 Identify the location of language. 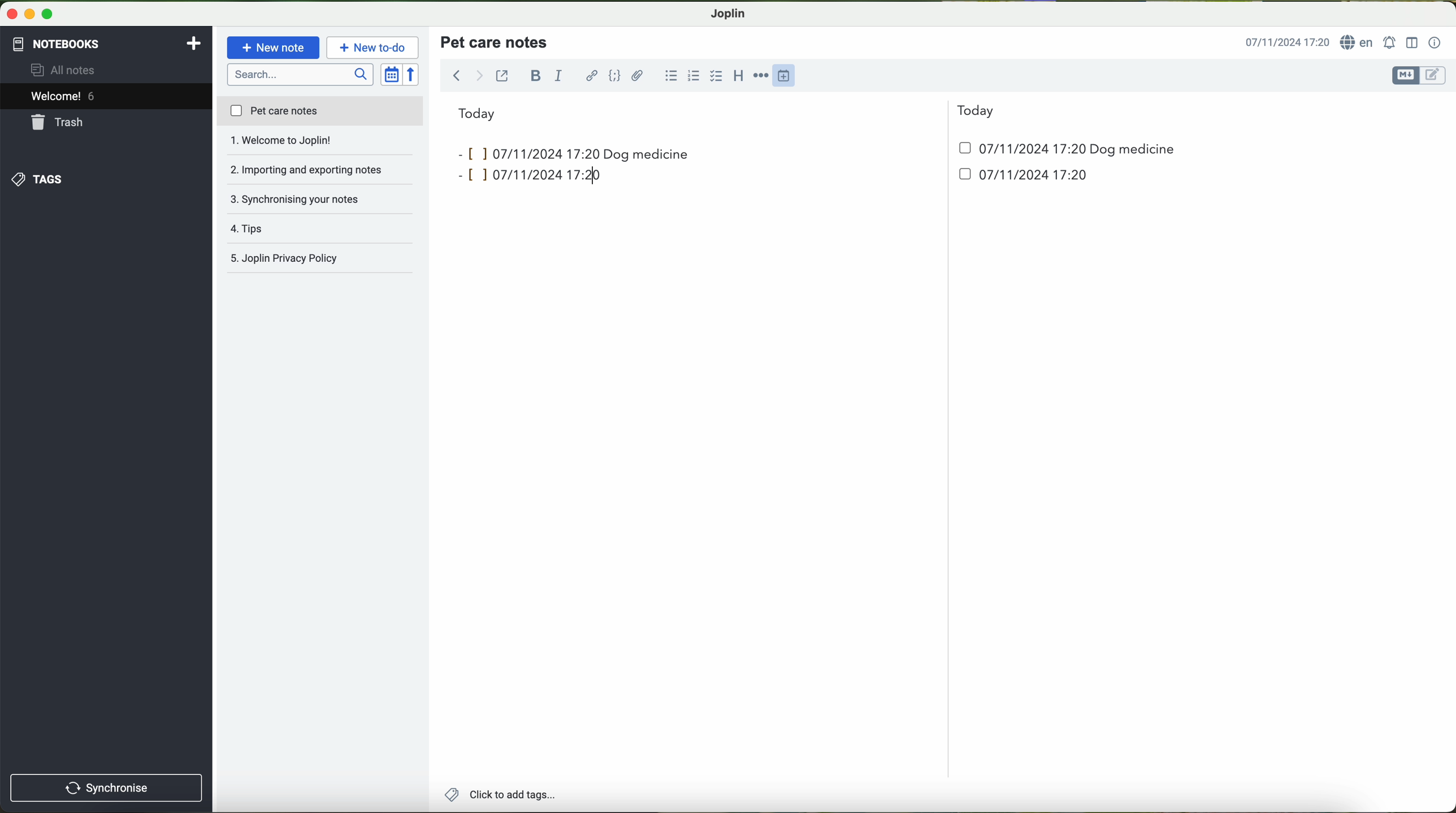
(1359, 43).